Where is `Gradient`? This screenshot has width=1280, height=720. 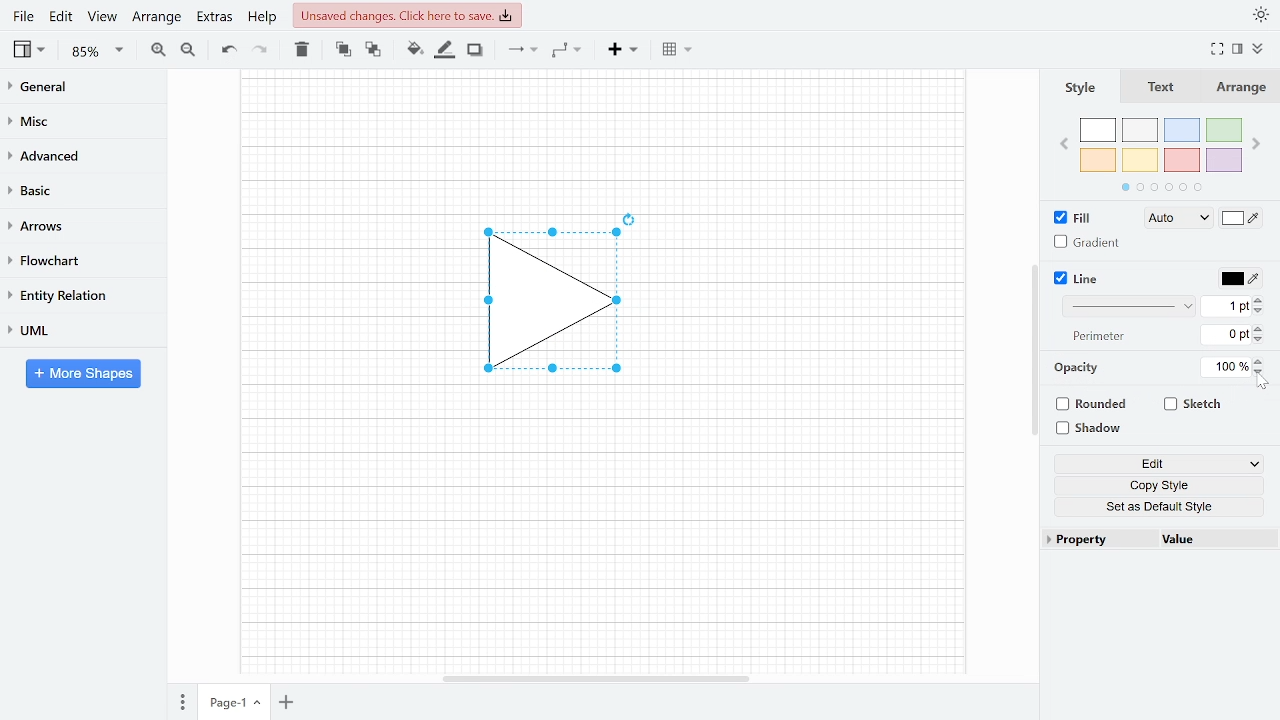 Gradient is located at coordinates (1088, 242).